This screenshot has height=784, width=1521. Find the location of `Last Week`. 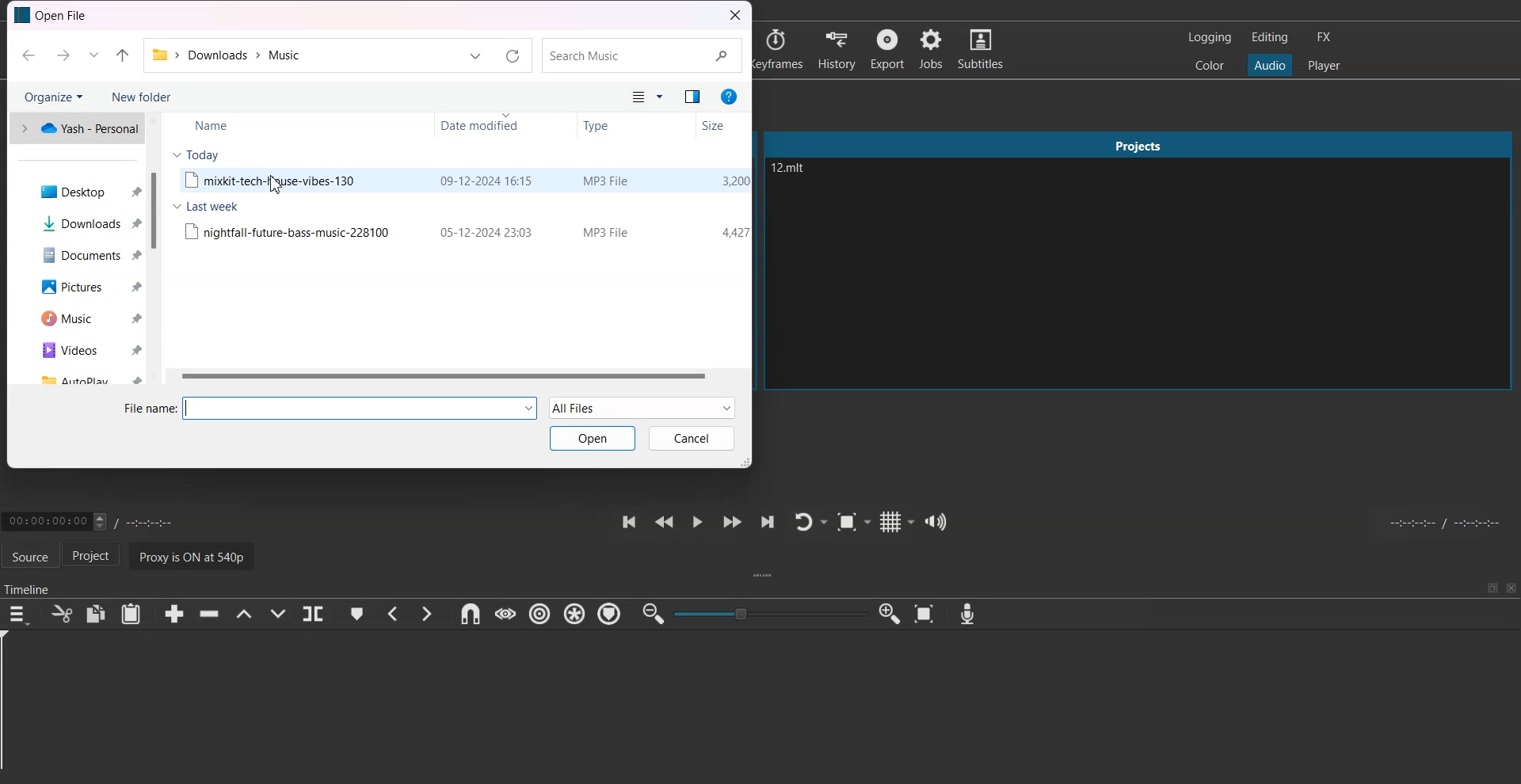

Last Week is located at coordinates (205, 206).